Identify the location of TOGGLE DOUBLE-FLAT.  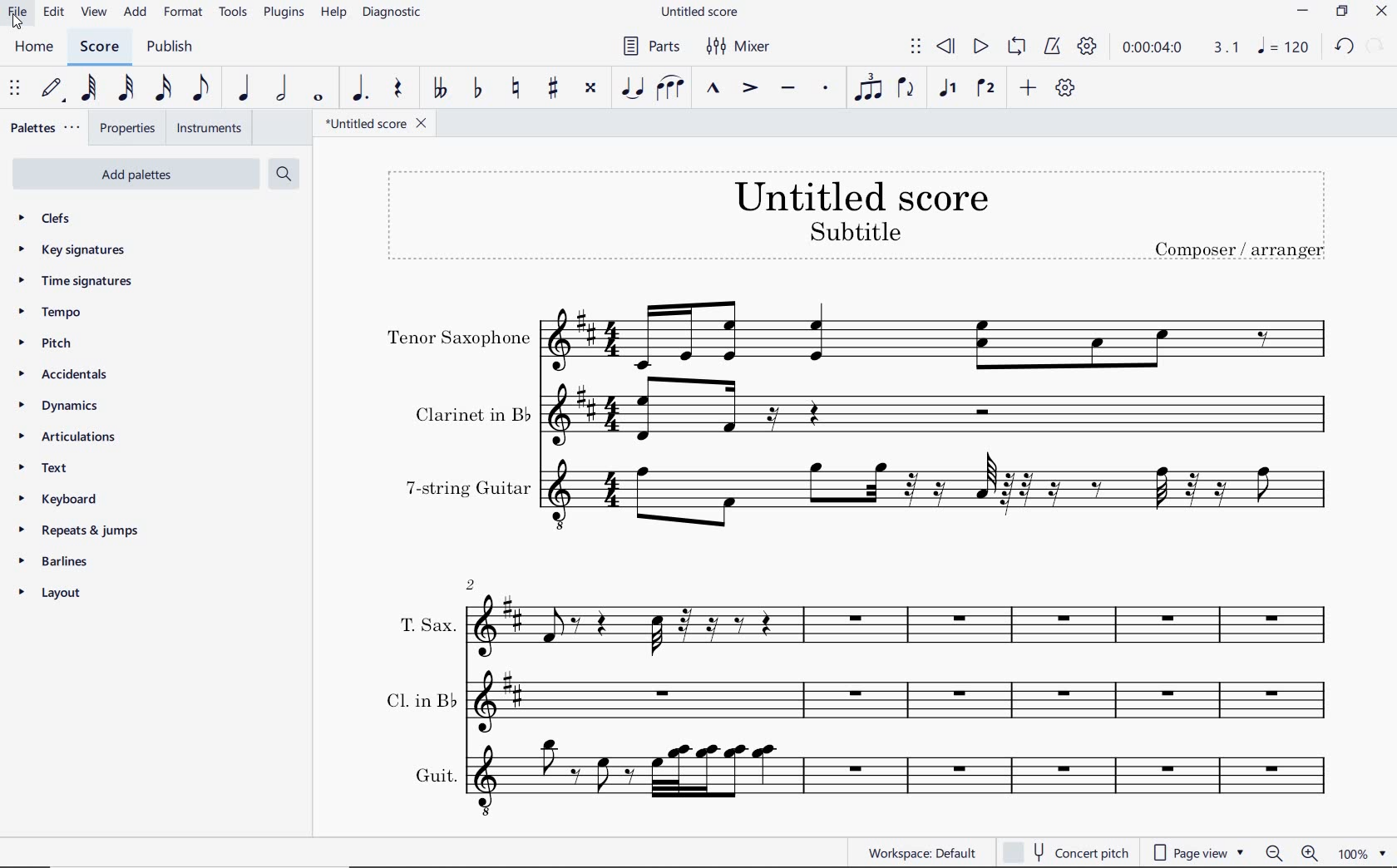
(440, 89).